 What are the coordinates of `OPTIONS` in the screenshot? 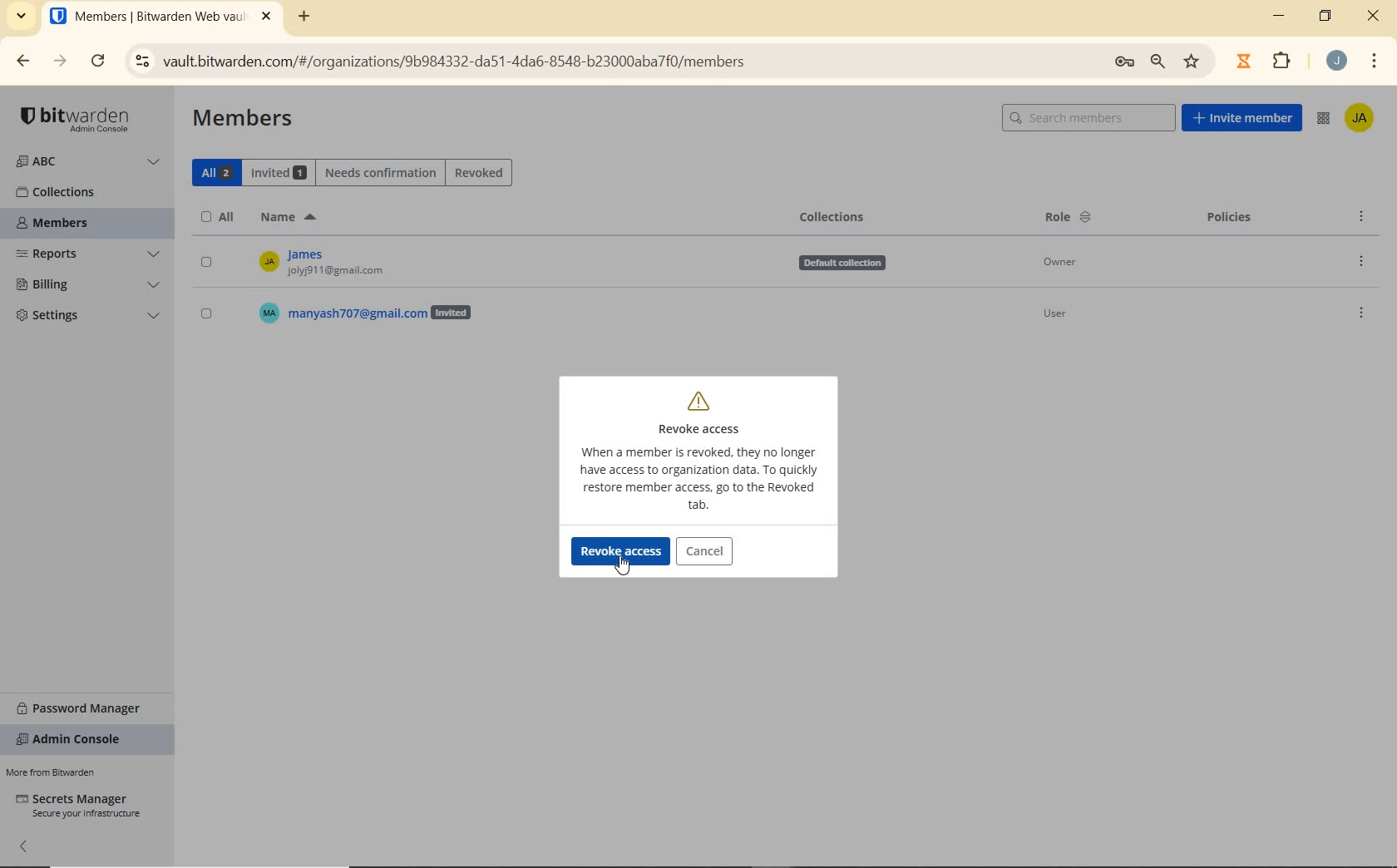 It's located at (1360, 261).